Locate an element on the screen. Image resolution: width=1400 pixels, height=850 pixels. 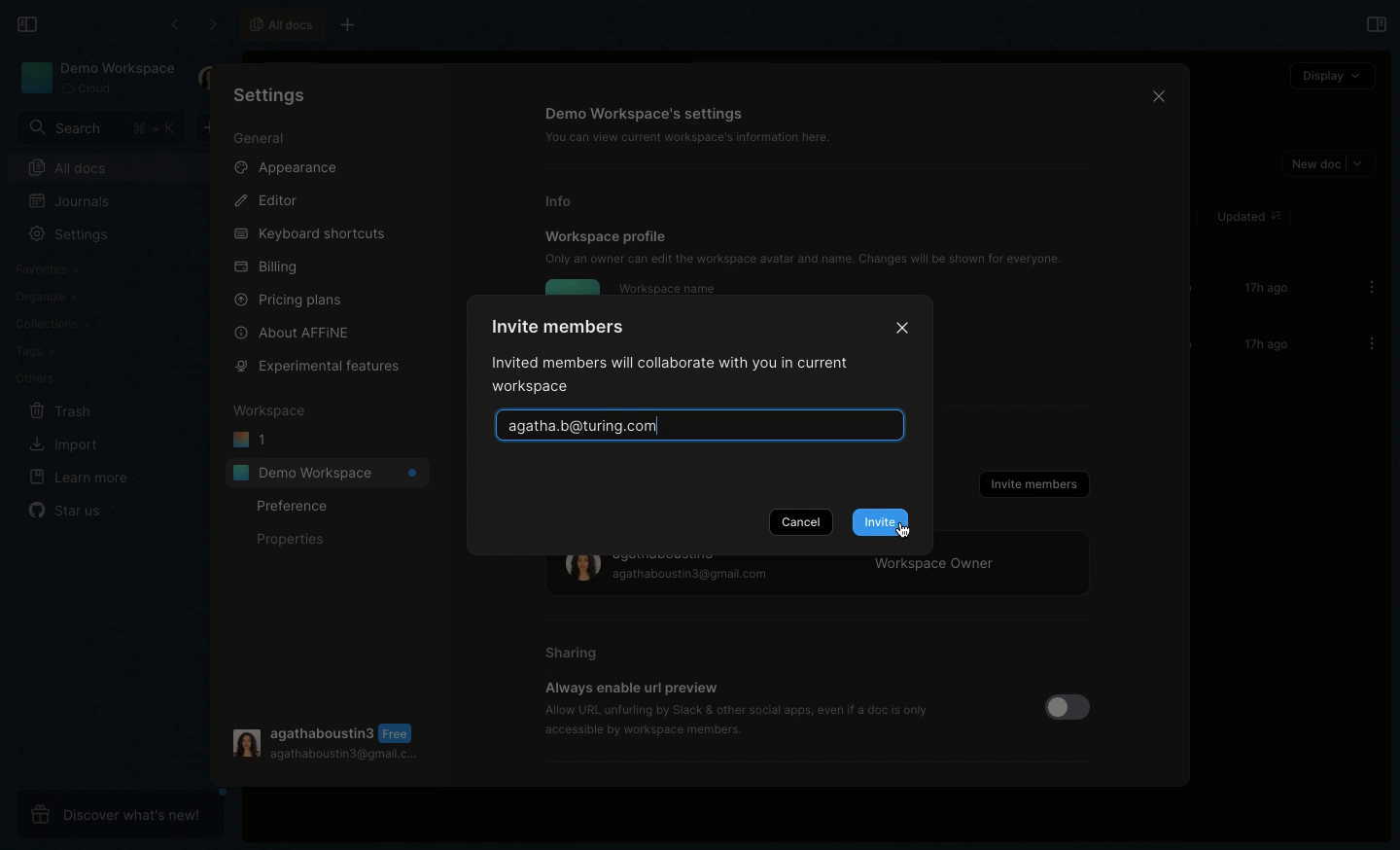
Settings is located at coordinates (278, 98).